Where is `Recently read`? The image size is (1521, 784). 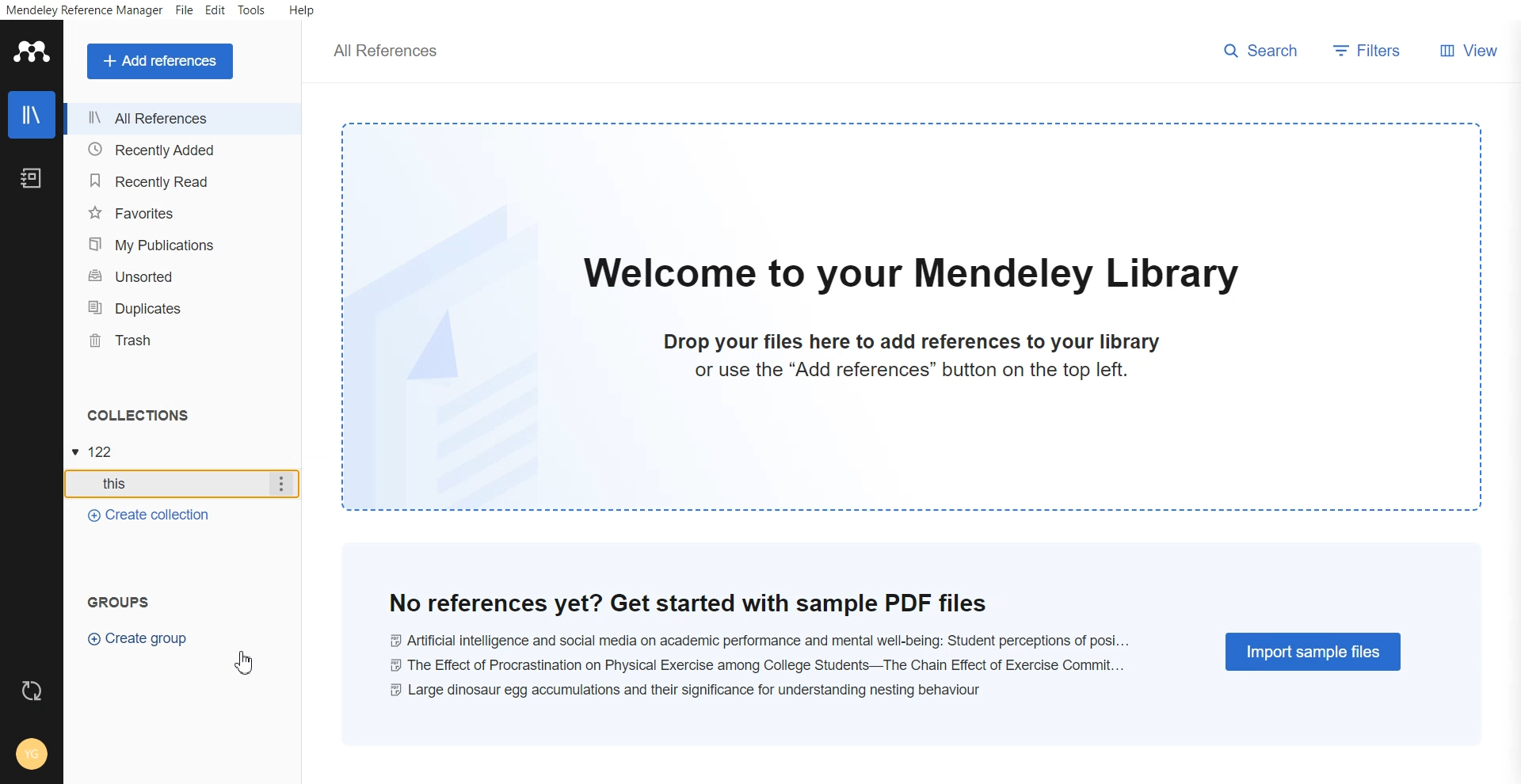
Recently read is located at coordinates (183, 179).